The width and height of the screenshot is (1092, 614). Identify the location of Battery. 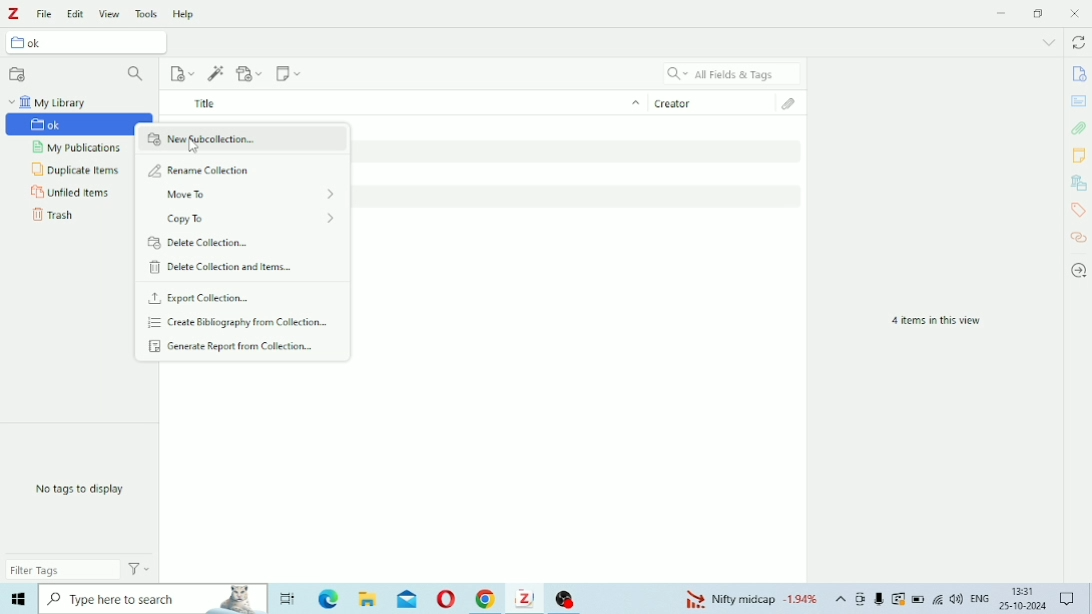
(918, 599).